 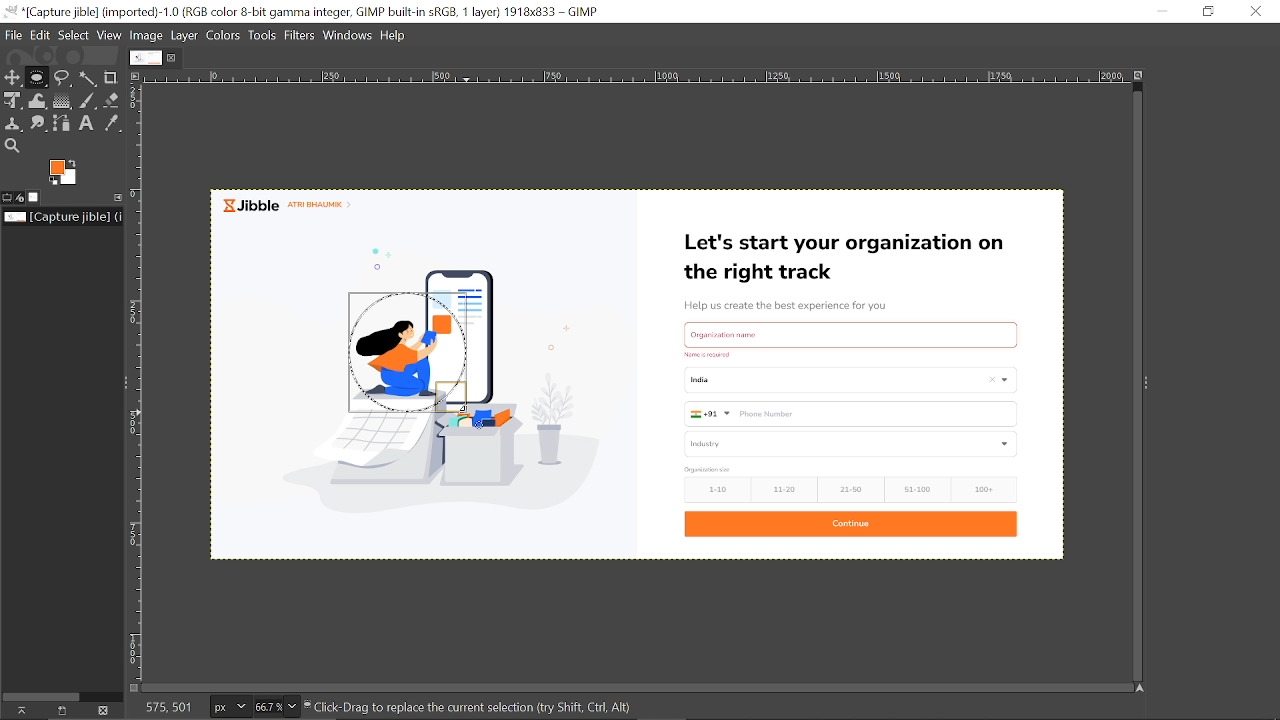 What do you see at coordinates (149, 34) in the screenshot?
I see `Image` at bounding box center [149, 34].